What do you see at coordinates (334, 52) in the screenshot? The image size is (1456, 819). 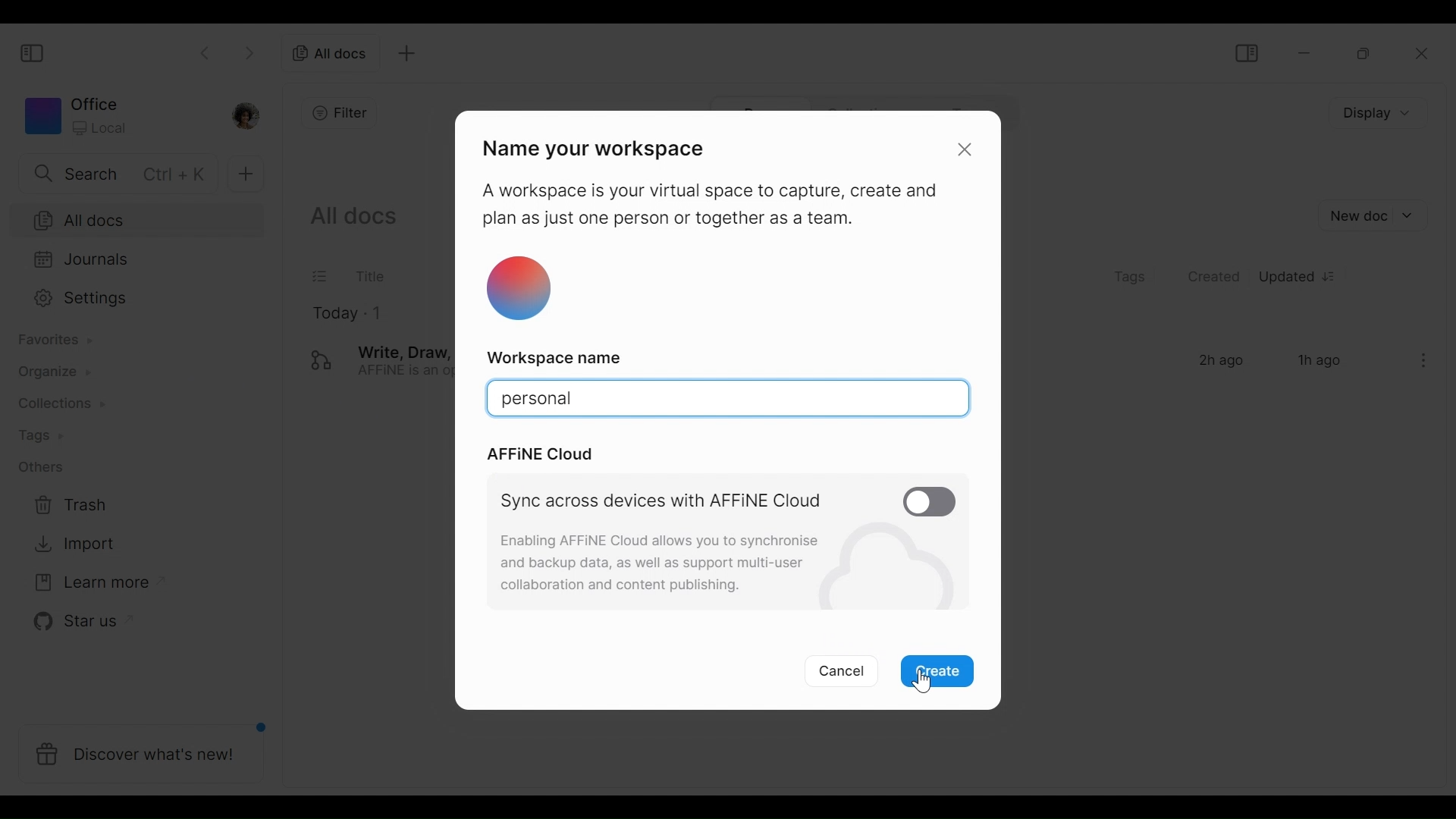 I see `All documents` at bounding box center [334, 52].